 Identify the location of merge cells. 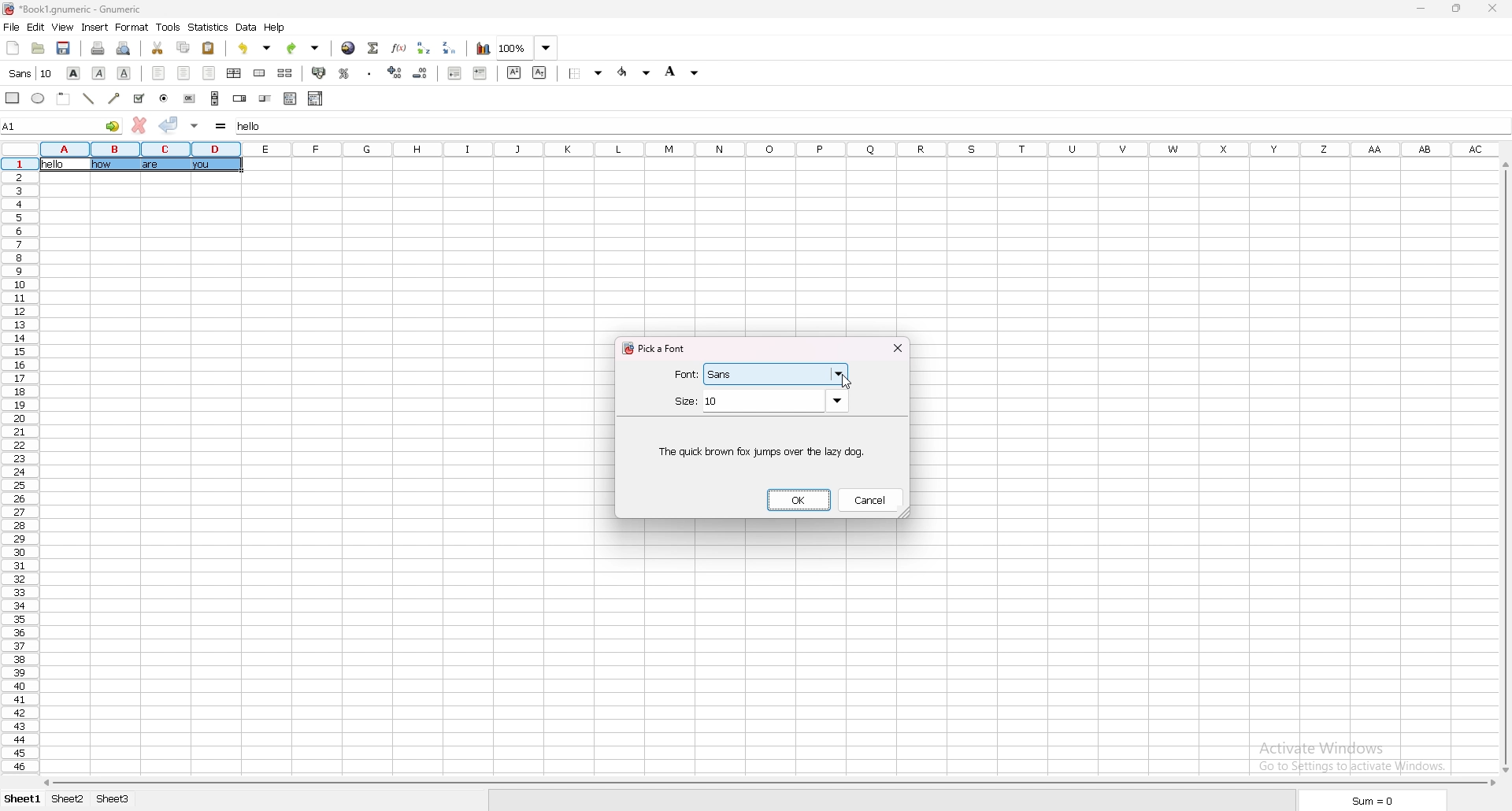
(259, 73).